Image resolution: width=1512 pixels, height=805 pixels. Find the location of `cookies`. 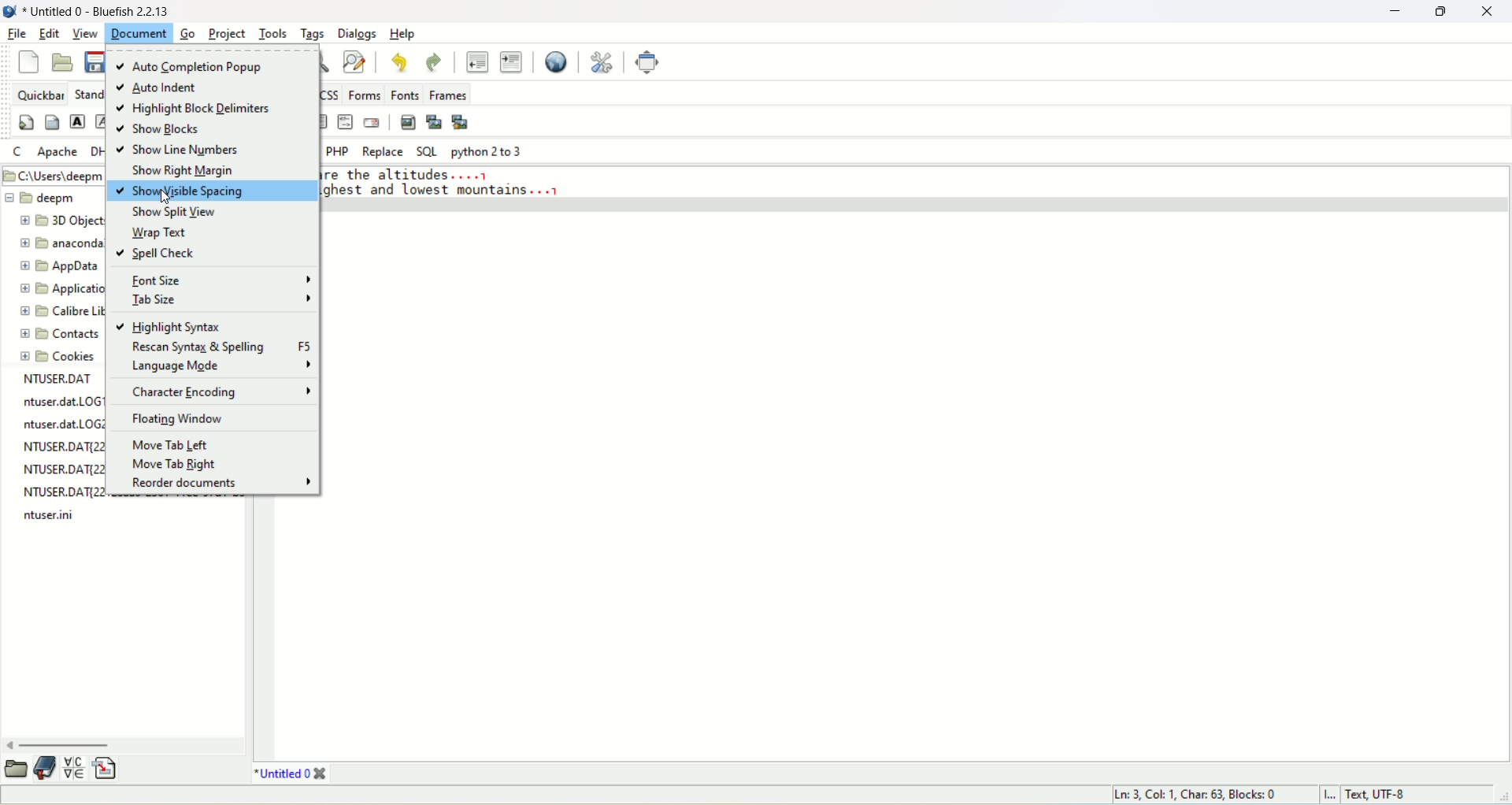

cookies is located at coordinates (59, 355).